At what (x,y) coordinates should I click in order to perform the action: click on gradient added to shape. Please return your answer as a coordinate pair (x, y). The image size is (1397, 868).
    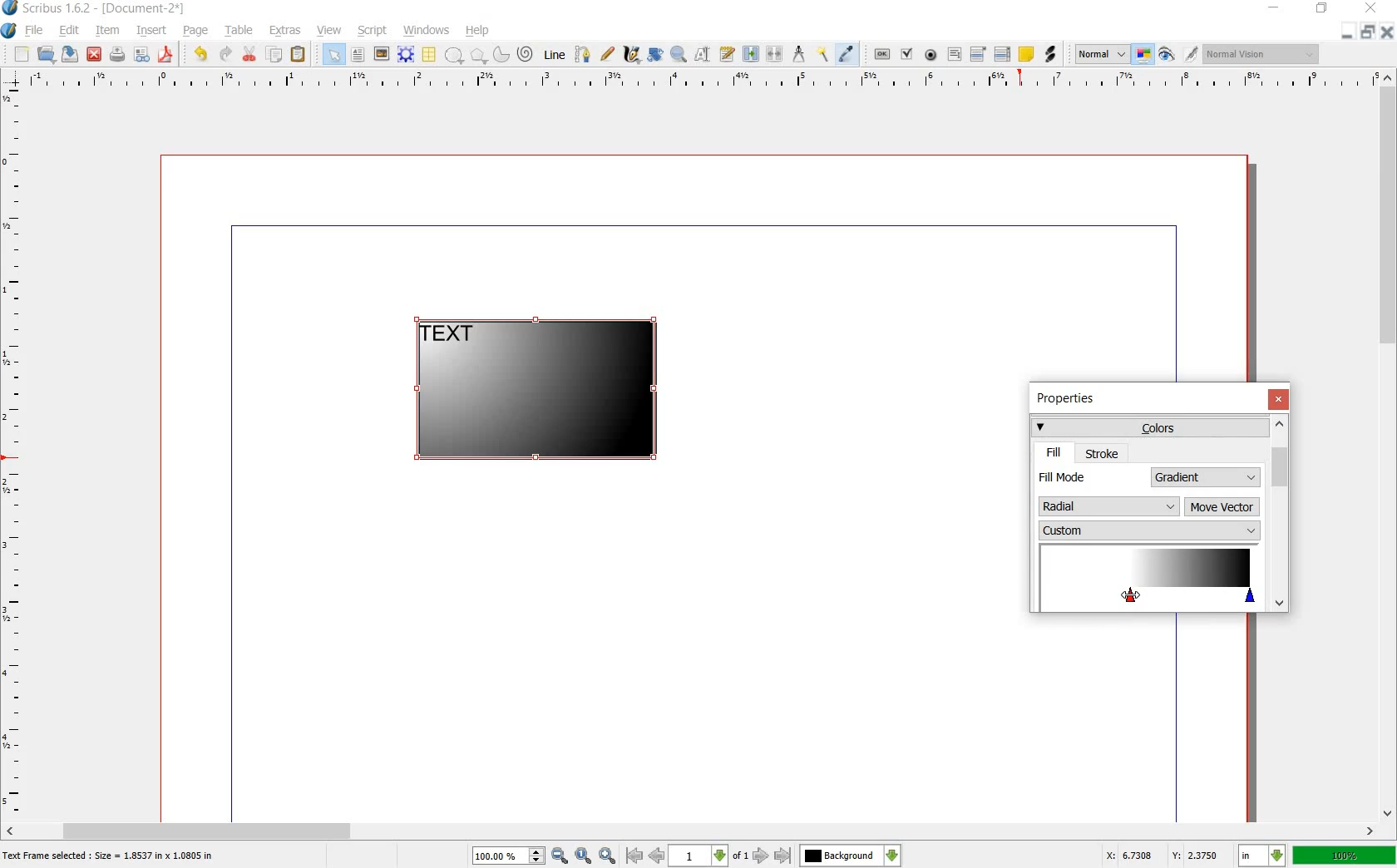
    Looking at the image, I should click on (540, 392).